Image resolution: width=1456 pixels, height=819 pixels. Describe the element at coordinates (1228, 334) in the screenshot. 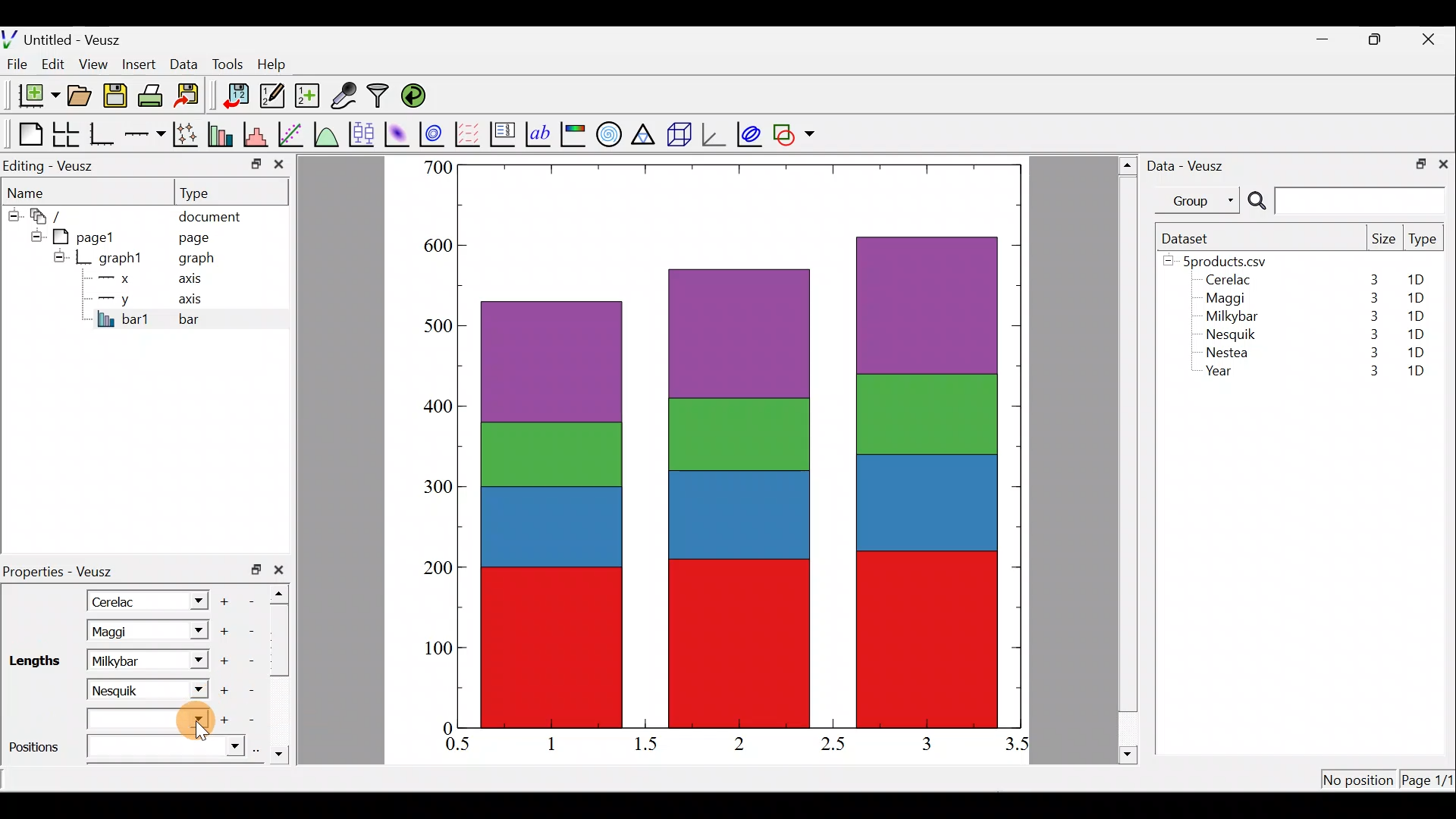

I see `Nesquik` at that location.